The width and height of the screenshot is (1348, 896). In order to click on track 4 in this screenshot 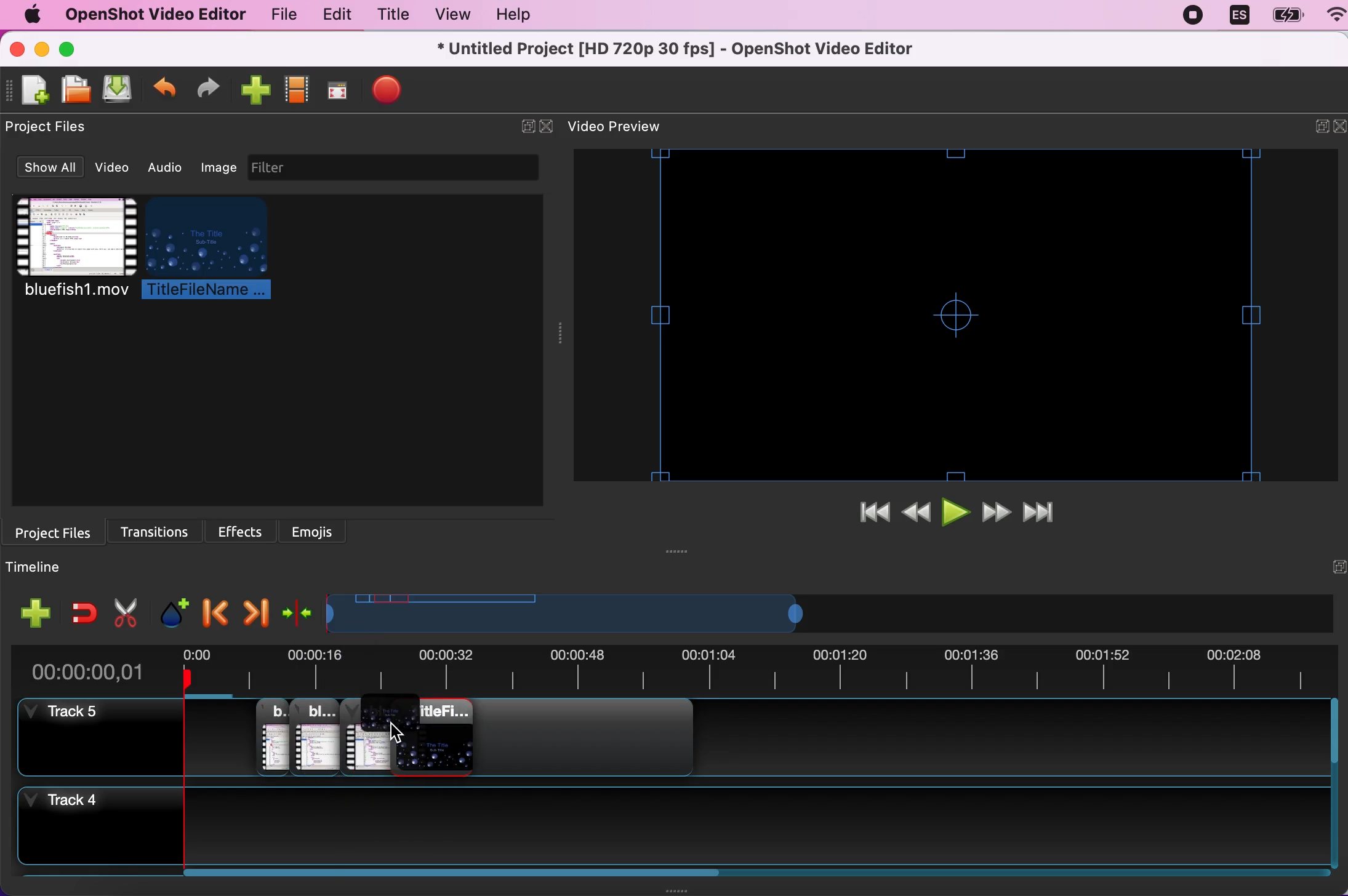, I will do `click(772, 833)`.